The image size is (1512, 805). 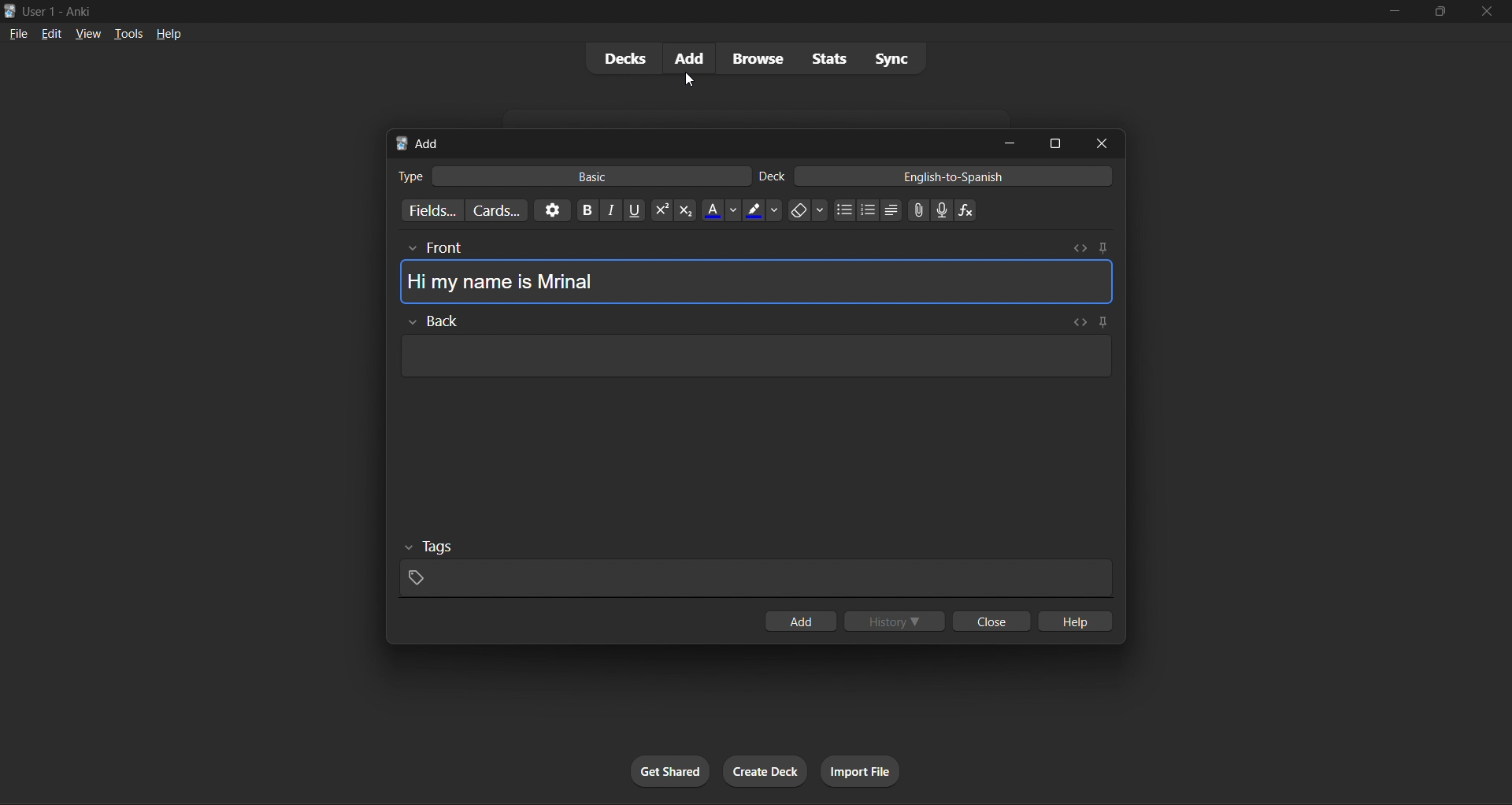 What do you see at coordinates (82, 32) in the screenshot?
I see `view` at bounding box center [82, 32].